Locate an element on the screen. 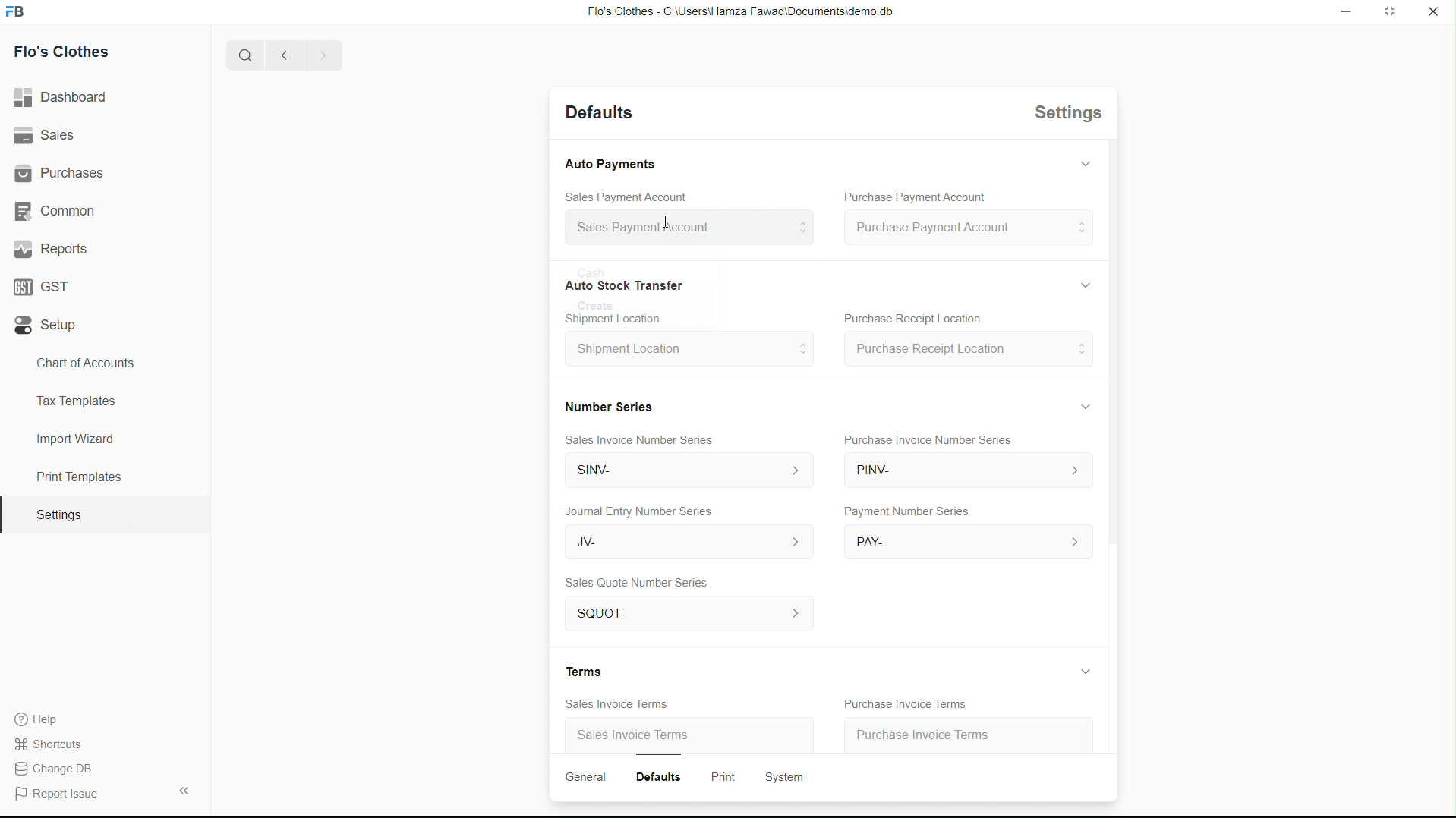 The width and height of the screenshot is (1456, 818). System is located at coordinates (782, 777).